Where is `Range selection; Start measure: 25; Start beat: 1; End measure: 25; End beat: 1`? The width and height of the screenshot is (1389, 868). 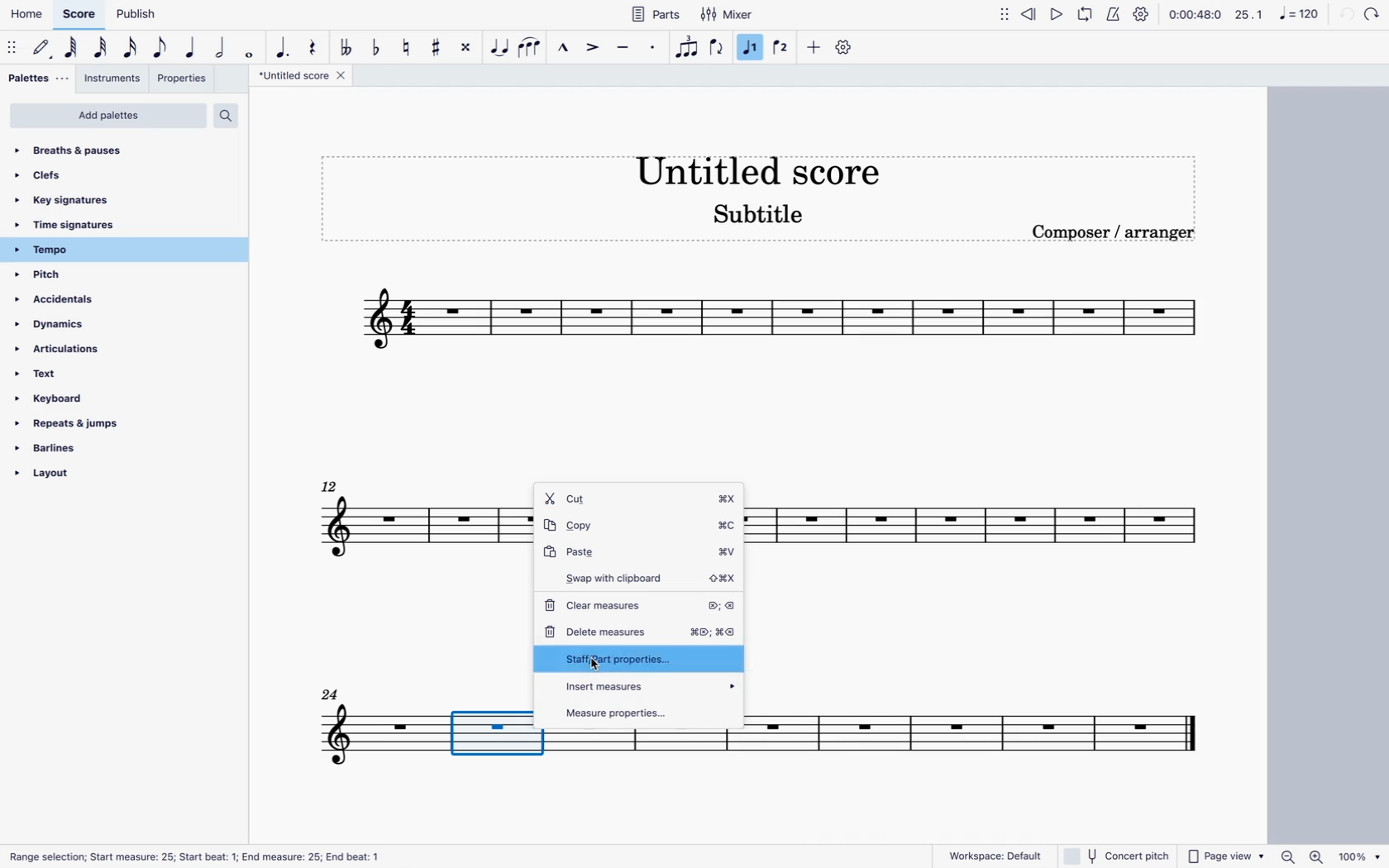 Range selection; Start measure: 25; Start beat: 1; End measure: 25; End beat: 1 is located at coordinates (193, 856).